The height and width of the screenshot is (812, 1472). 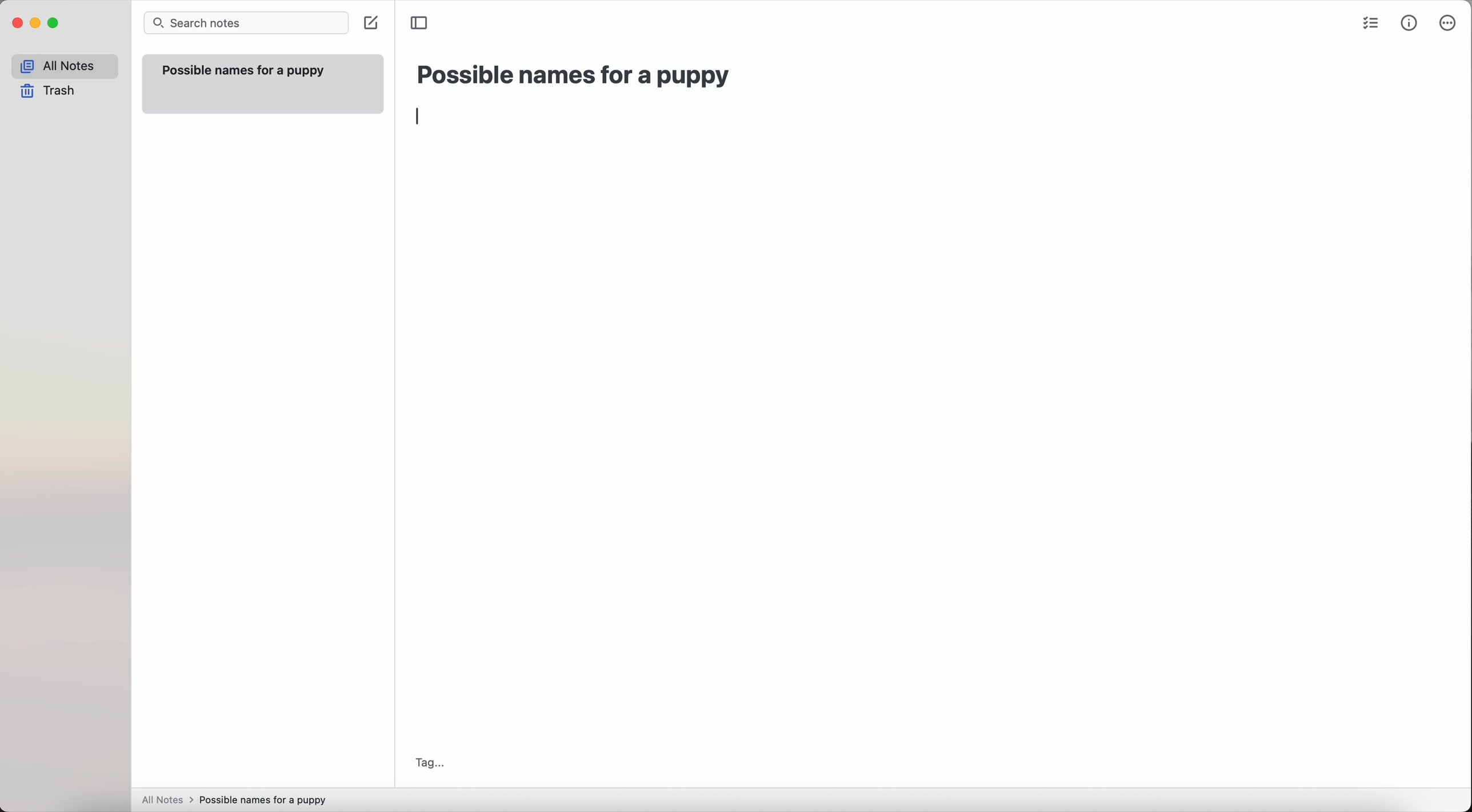 What do you see at coordinates (16, 25) in the screenshot?
I see `close` at bounding box center [16, 25].